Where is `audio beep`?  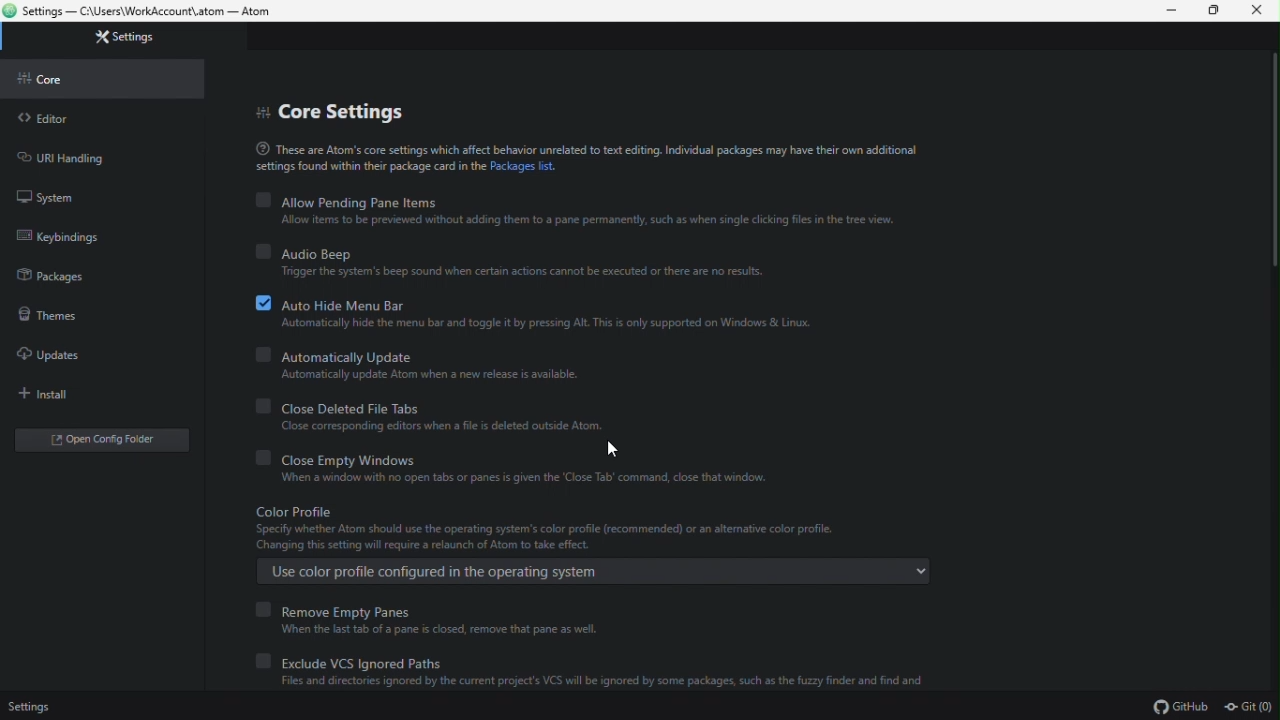
audio beep is located at coordinates (571, 250).